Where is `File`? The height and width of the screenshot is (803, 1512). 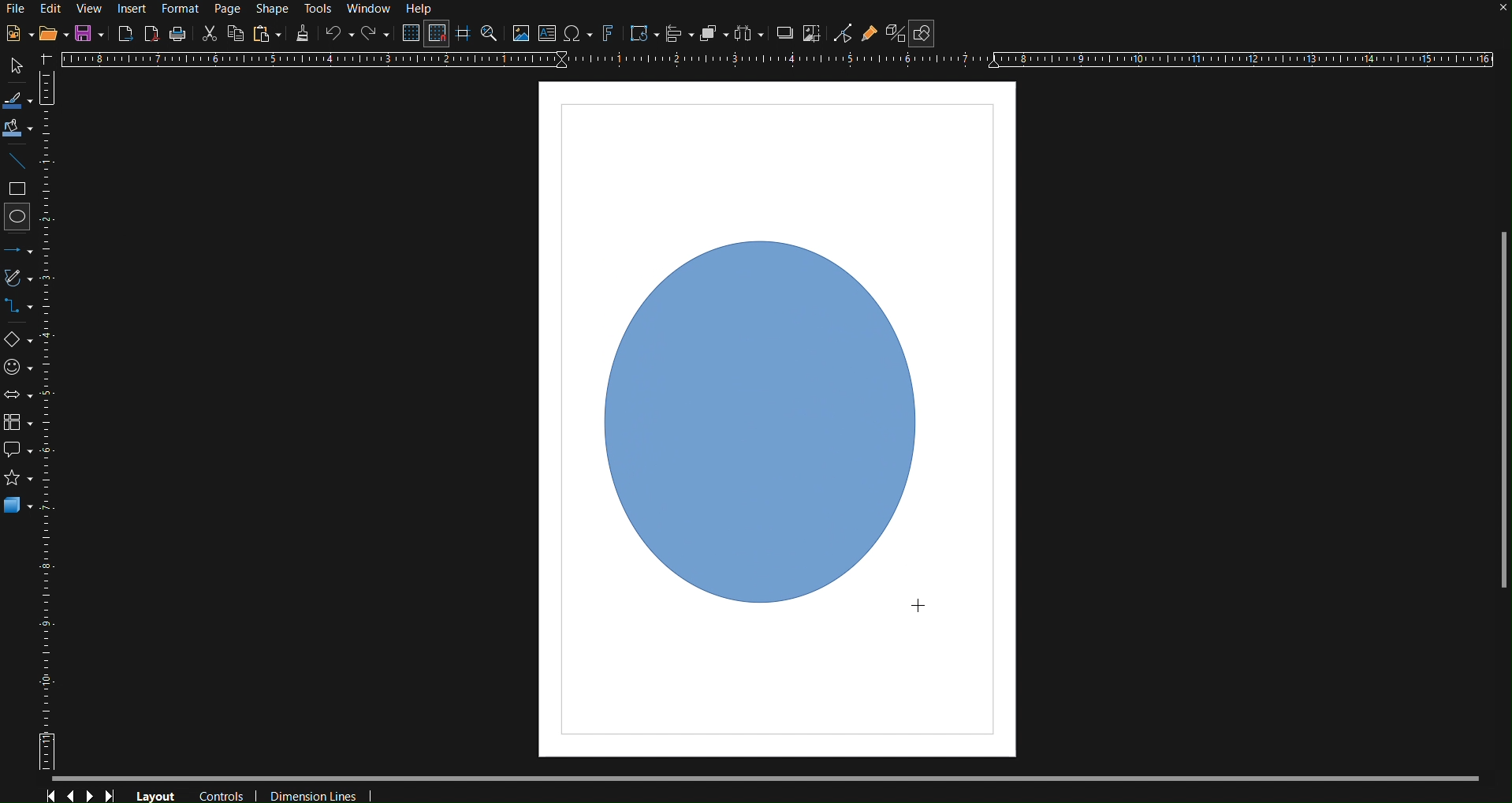
File is located at coordinates (15, 10).